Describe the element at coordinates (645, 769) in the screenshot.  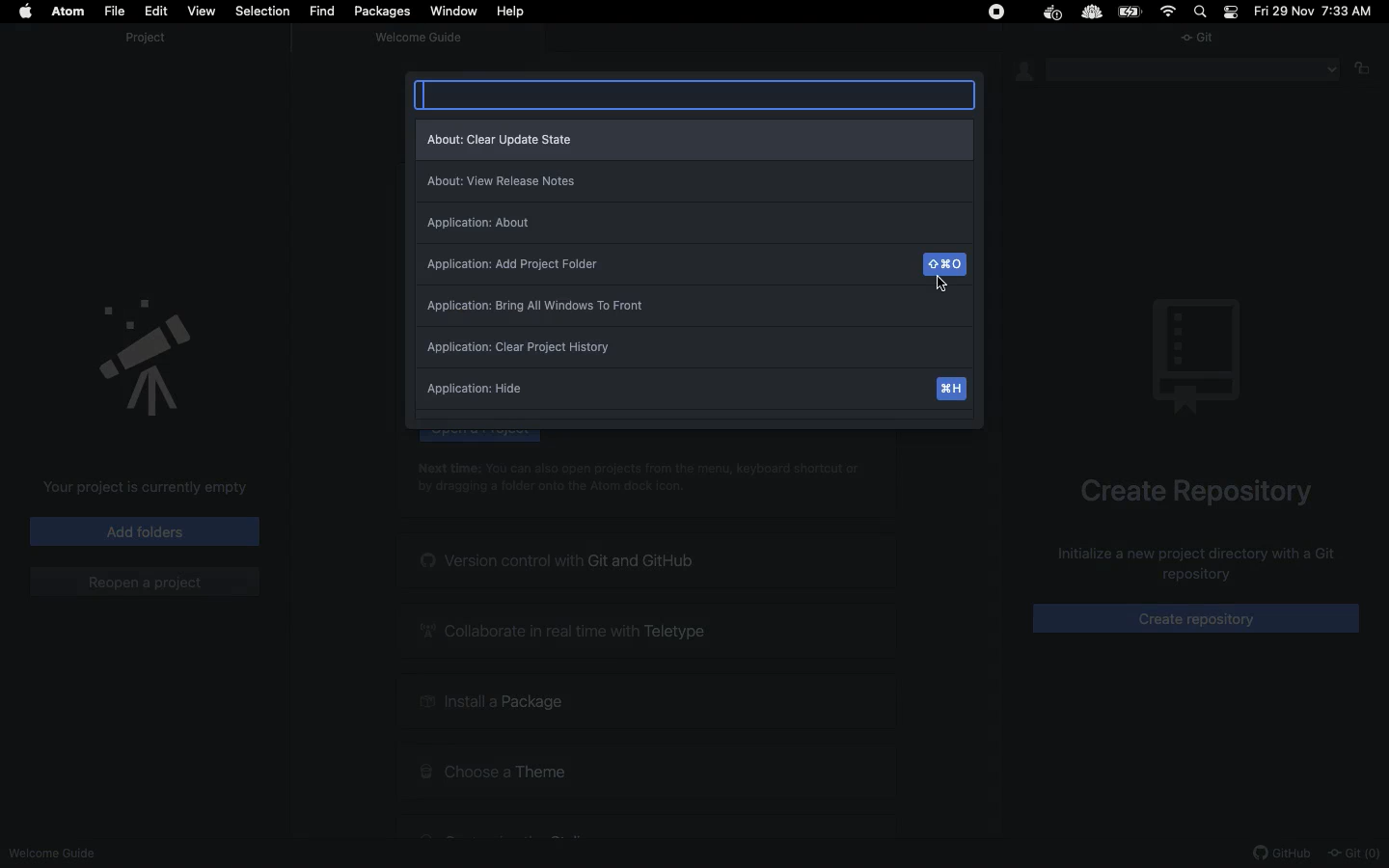
I see `Choose a theme` at that location.